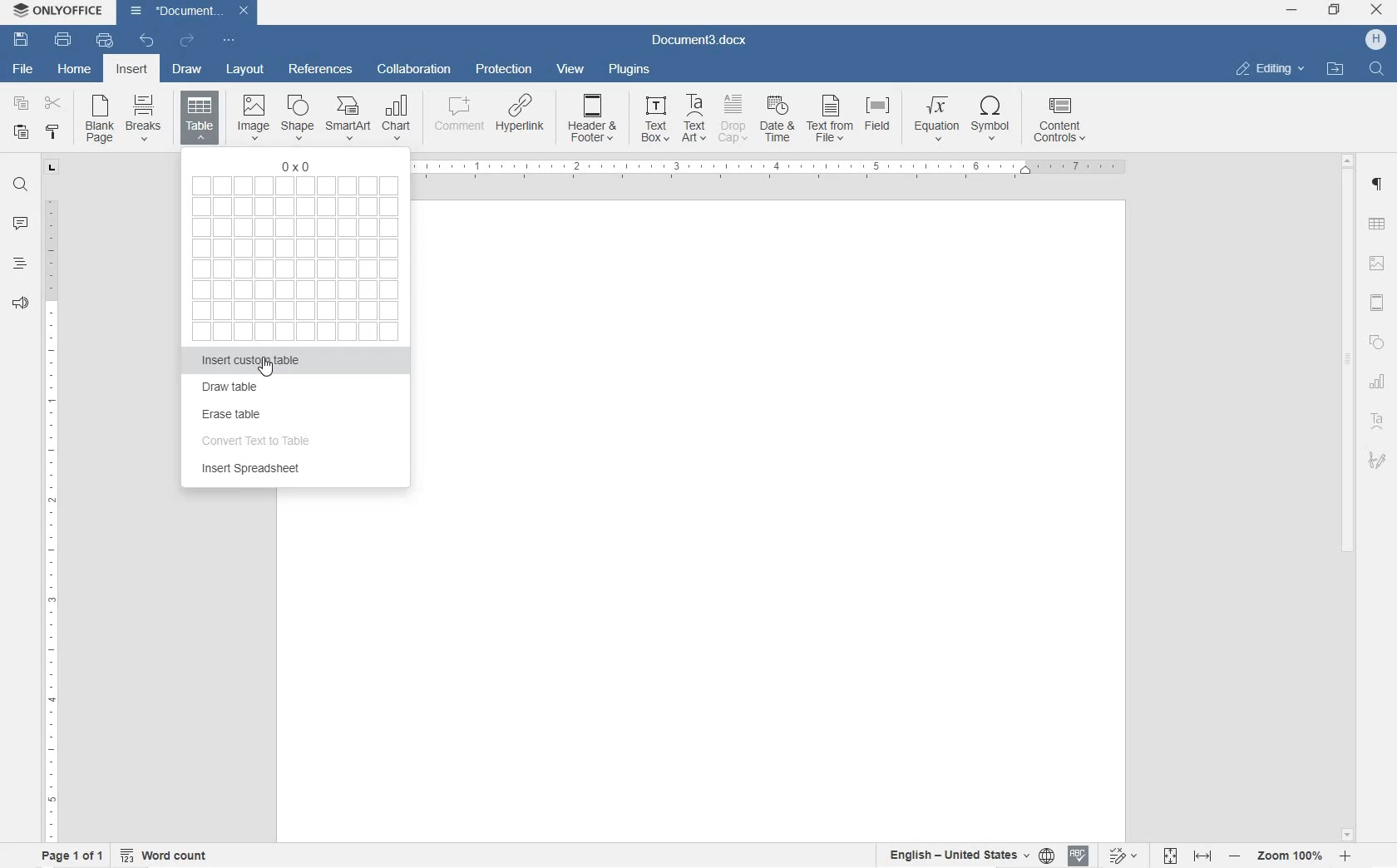 This screenshot has height=868, width=1397. Describe the element at coordinates (831, 121) in the screenshot. I see `Text from file` at that location.